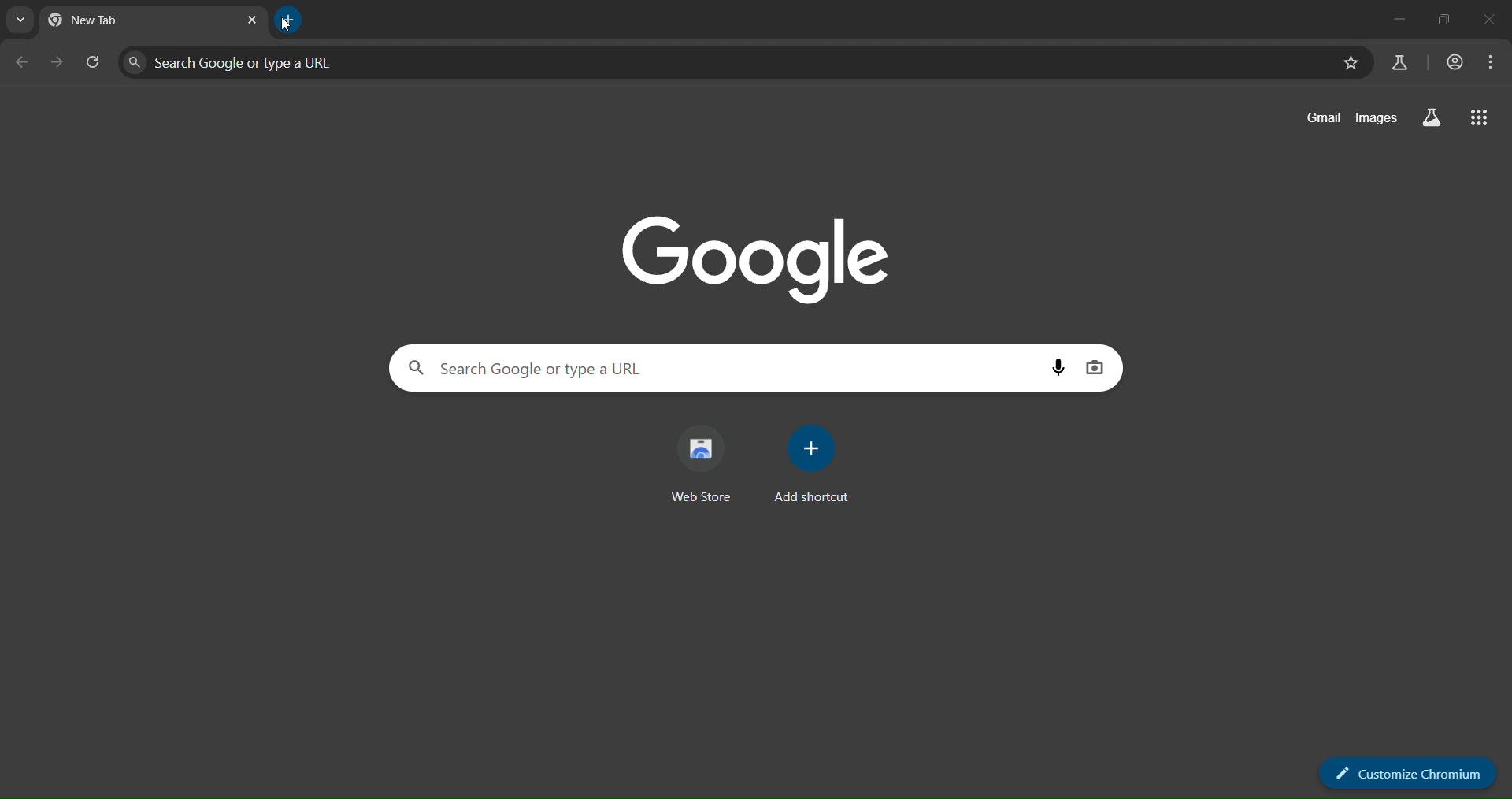  Describe the element at coordinates (1445, 22) in the screenshot. I see `restore` at that location.